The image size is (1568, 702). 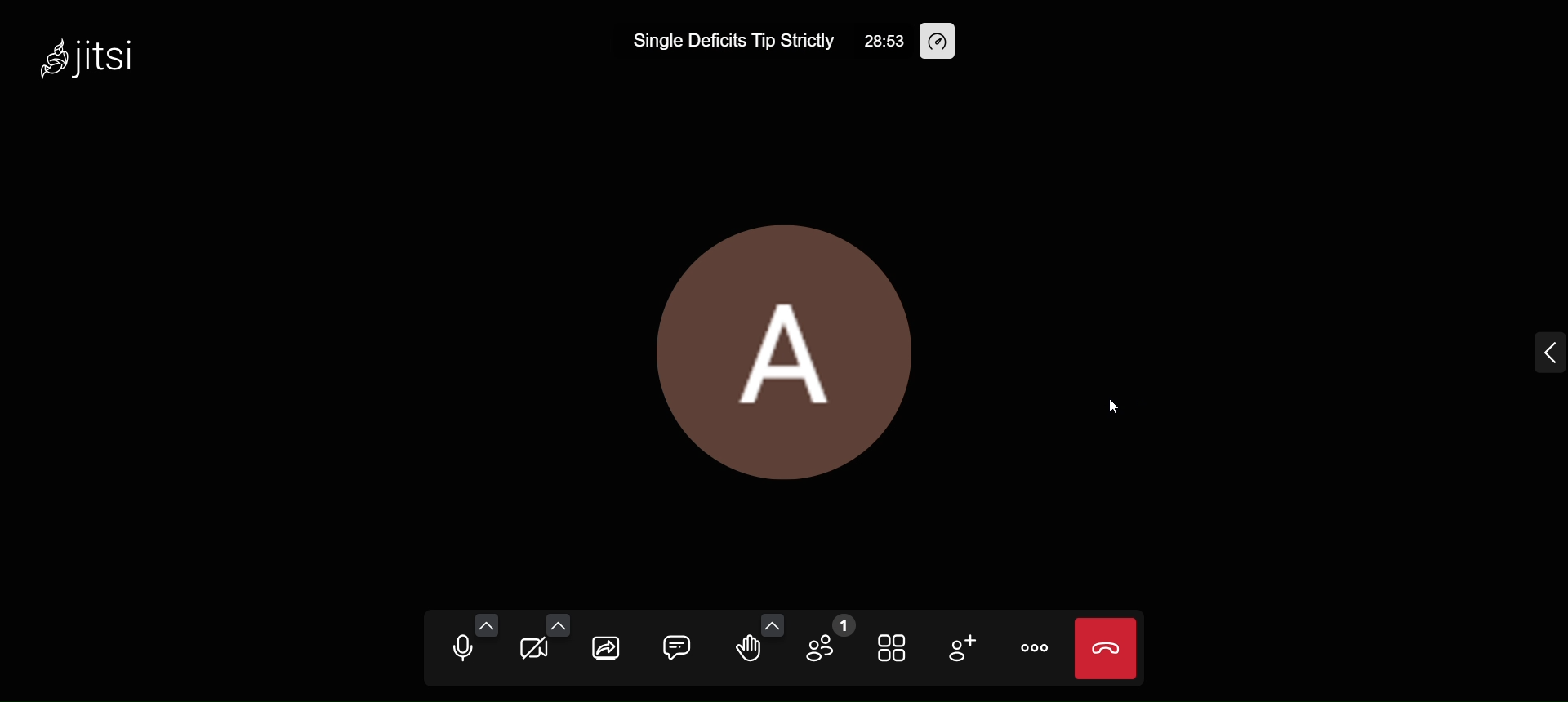 I want to click on more actions, so click(x=1039, y=649).